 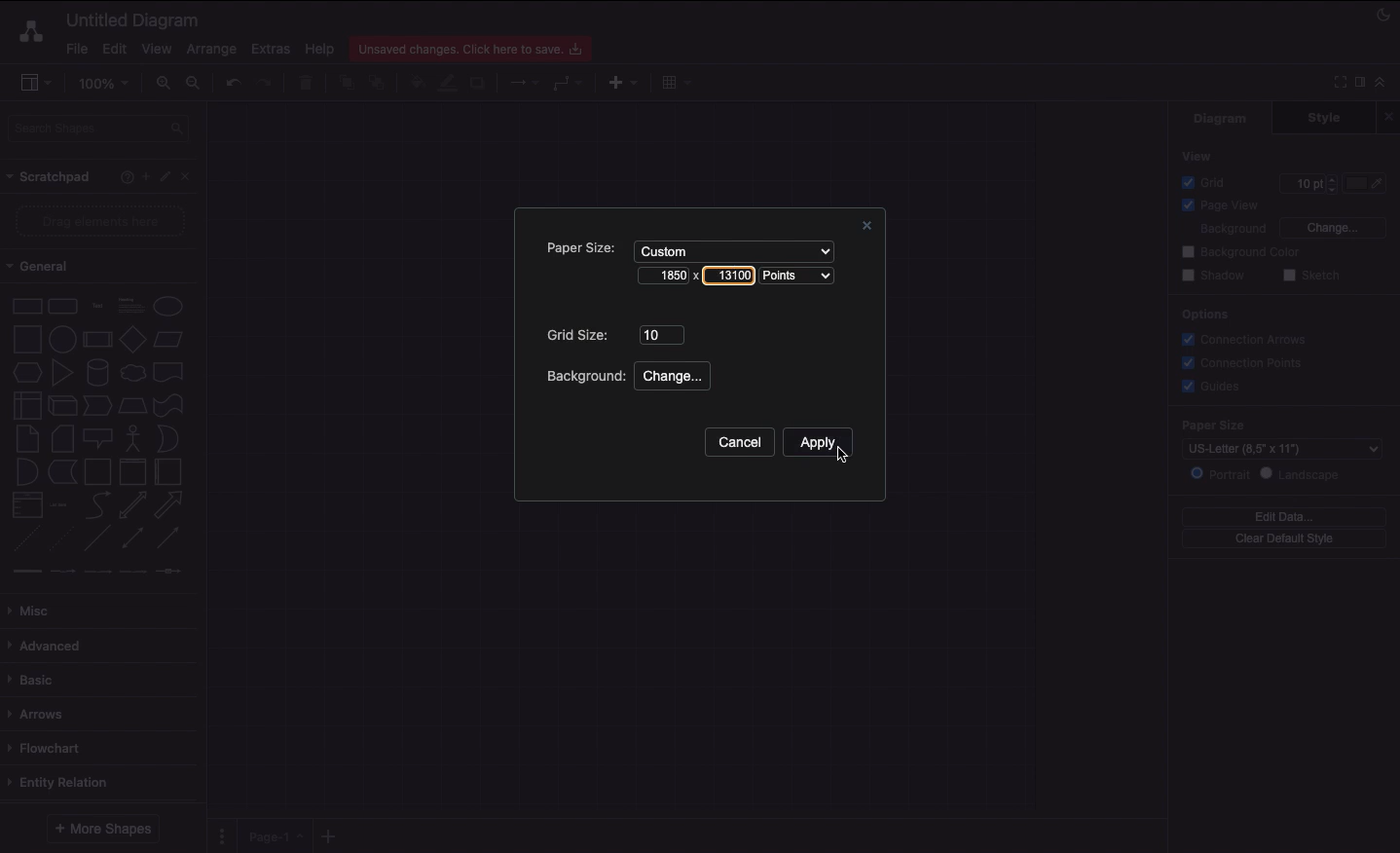 I want to click on Cursor, so click(x=837, y=454).